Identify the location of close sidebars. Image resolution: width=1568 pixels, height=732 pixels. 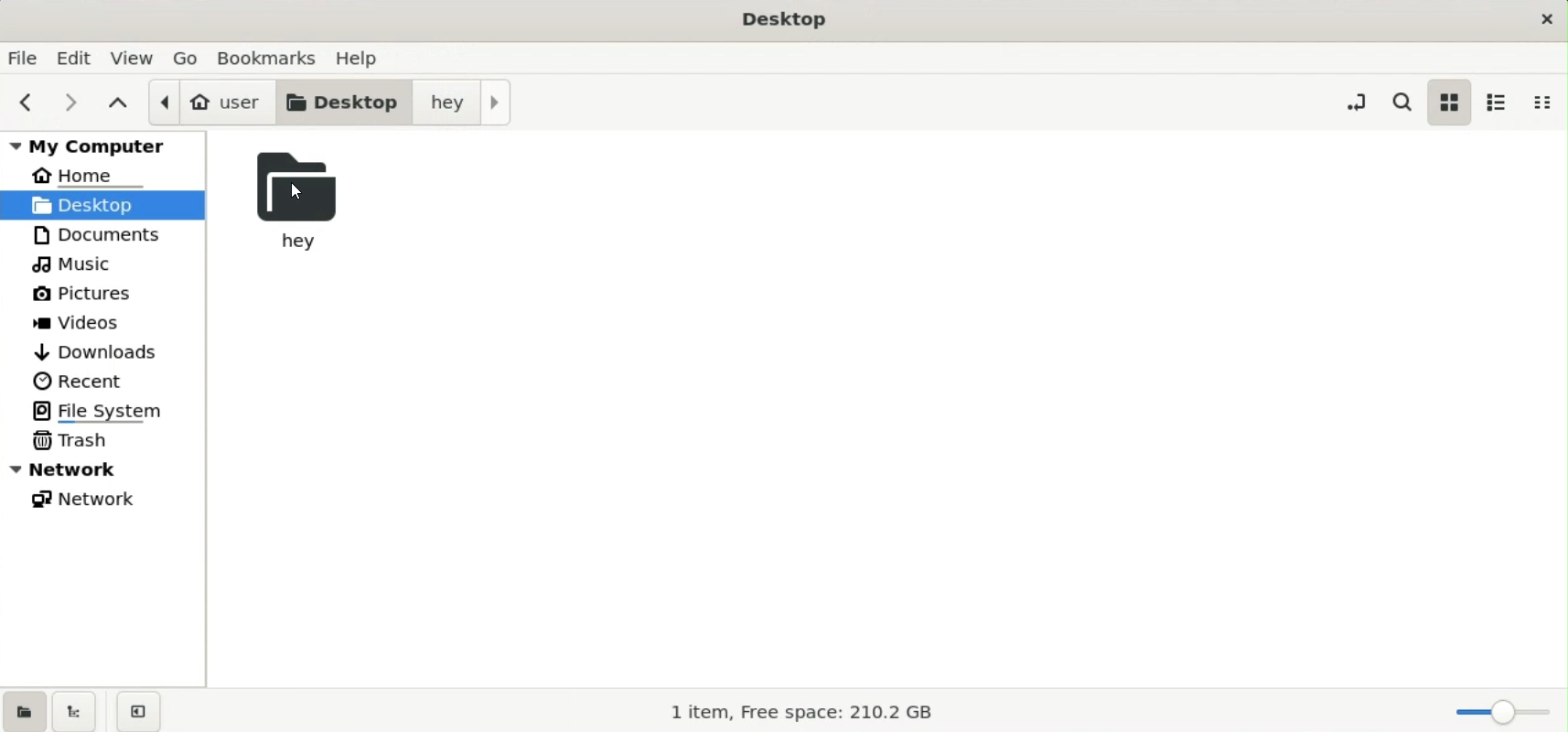
(138, 710).